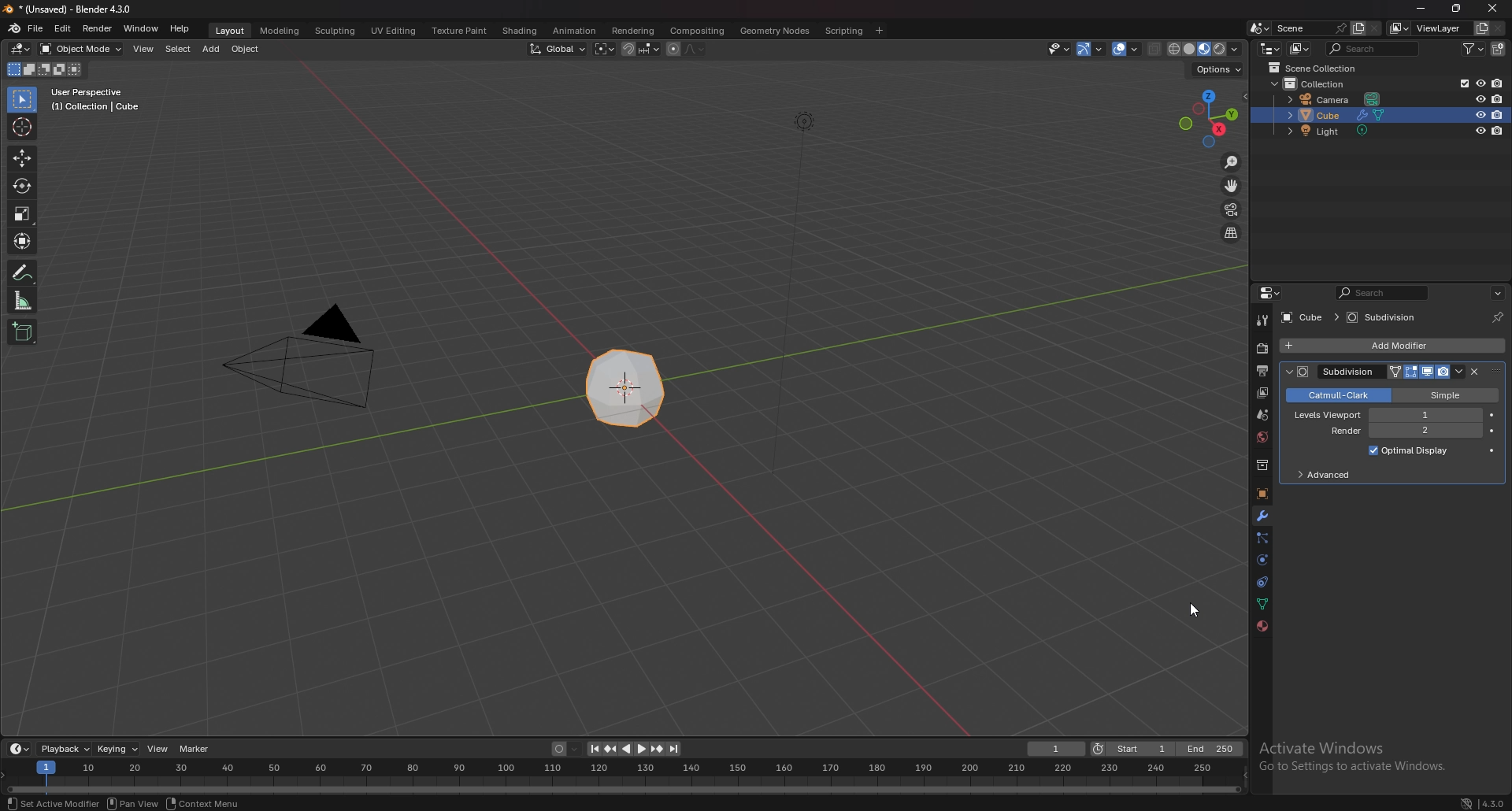 The width and height of the screenshot is (1512, 811). Describe the element at coordinates (1210, 119) in the screenshot. I see `use a preset viewport` at that location.